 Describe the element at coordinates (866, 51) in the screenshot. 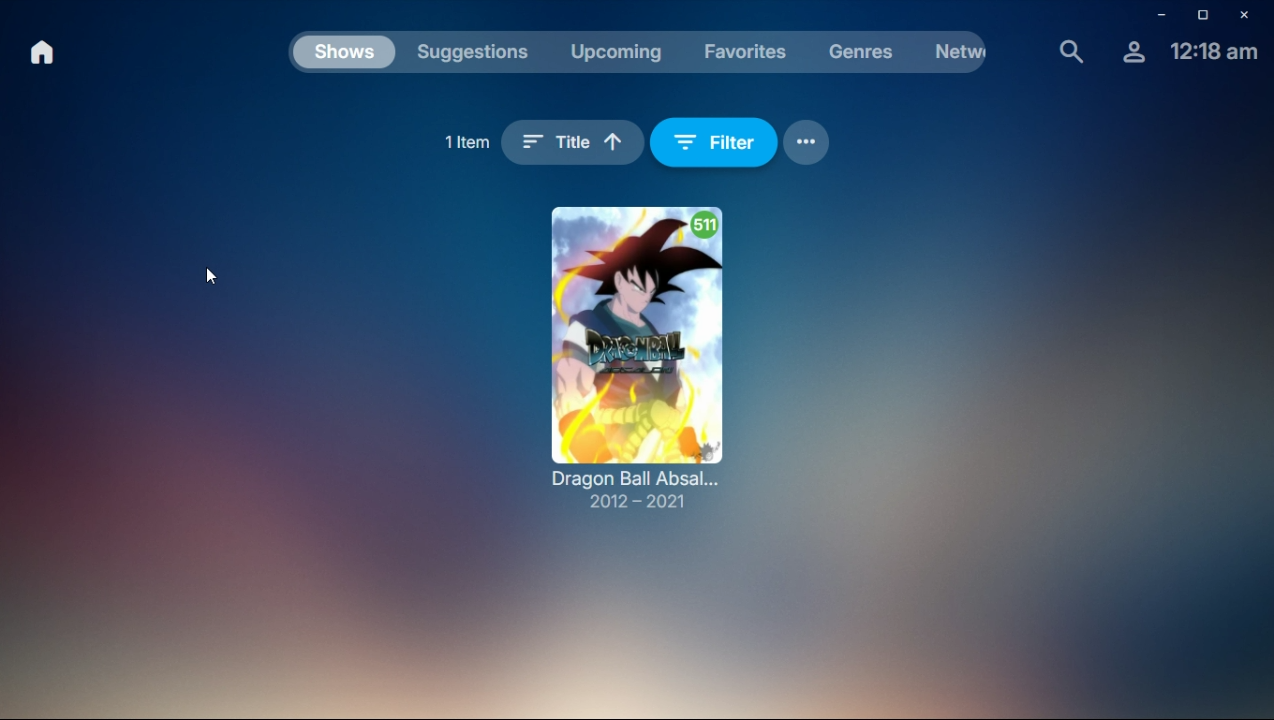

I see `genres` at that location.